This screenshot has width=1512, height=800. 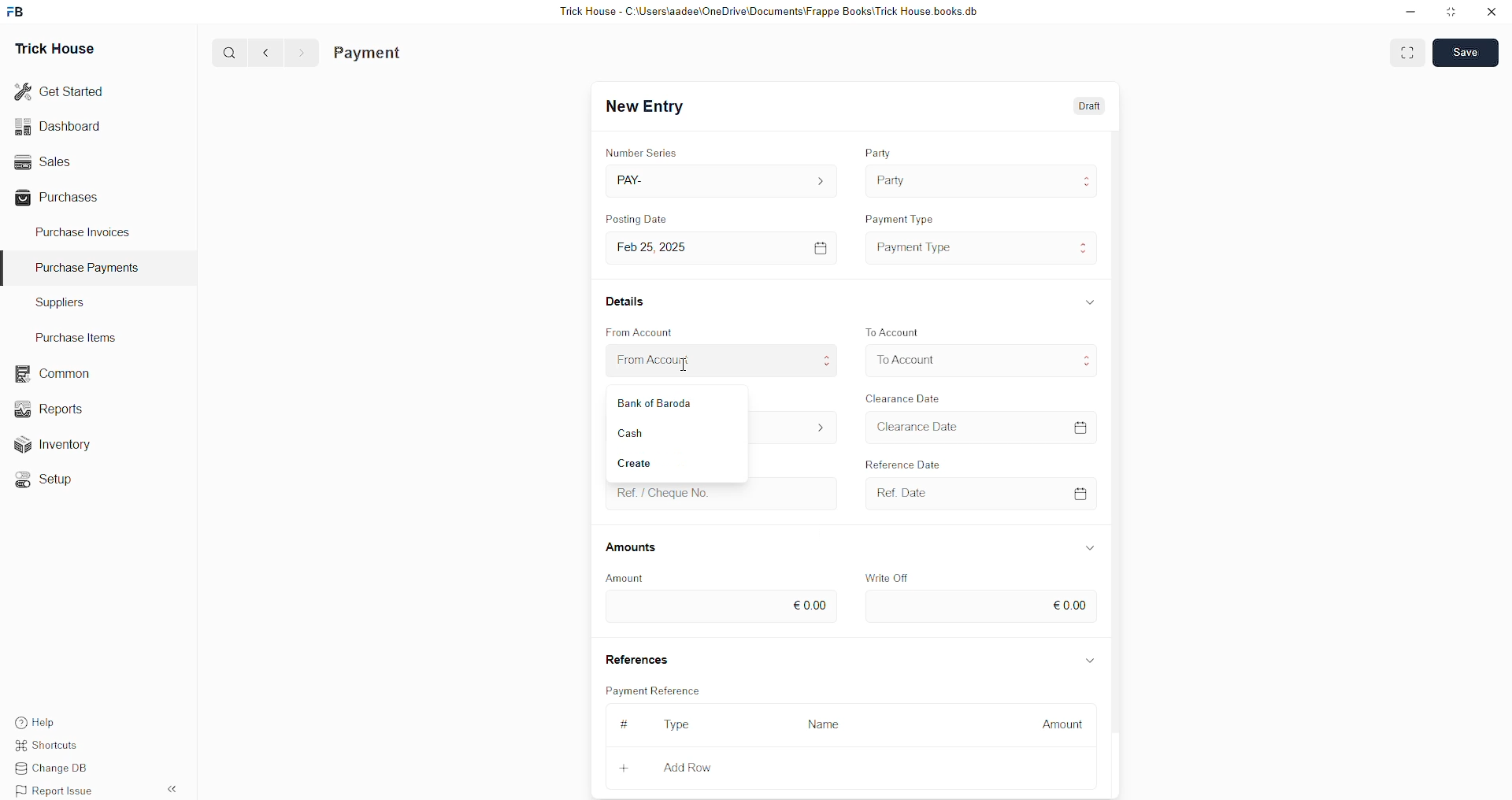 What do you see at coordinates (821, 247) in the screenshot?
I see `[=]` at bounding box center [821, 247].